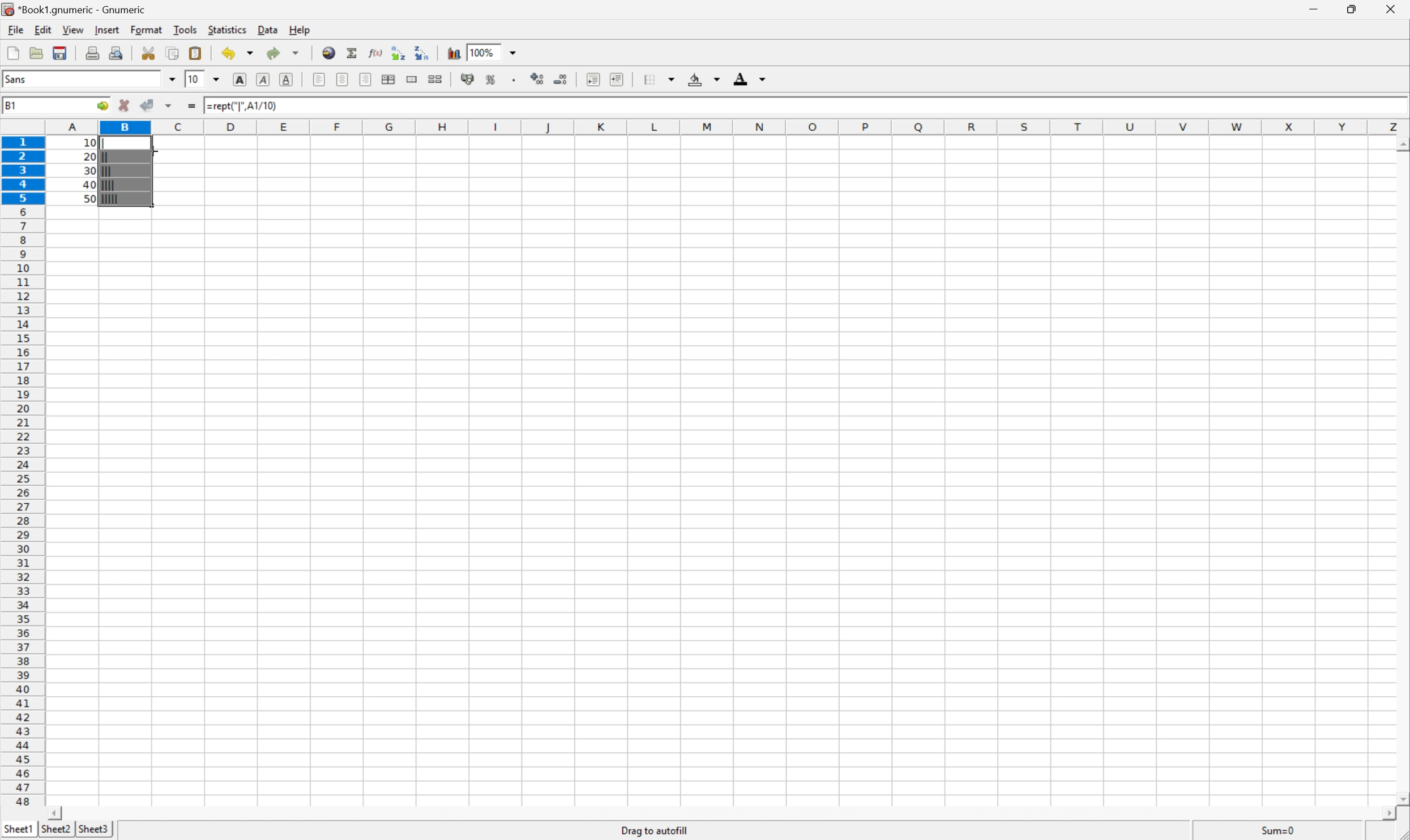 The width and height of the screenshot is (1410, 840). I want to click on Save current workbook, so click(60, 54).